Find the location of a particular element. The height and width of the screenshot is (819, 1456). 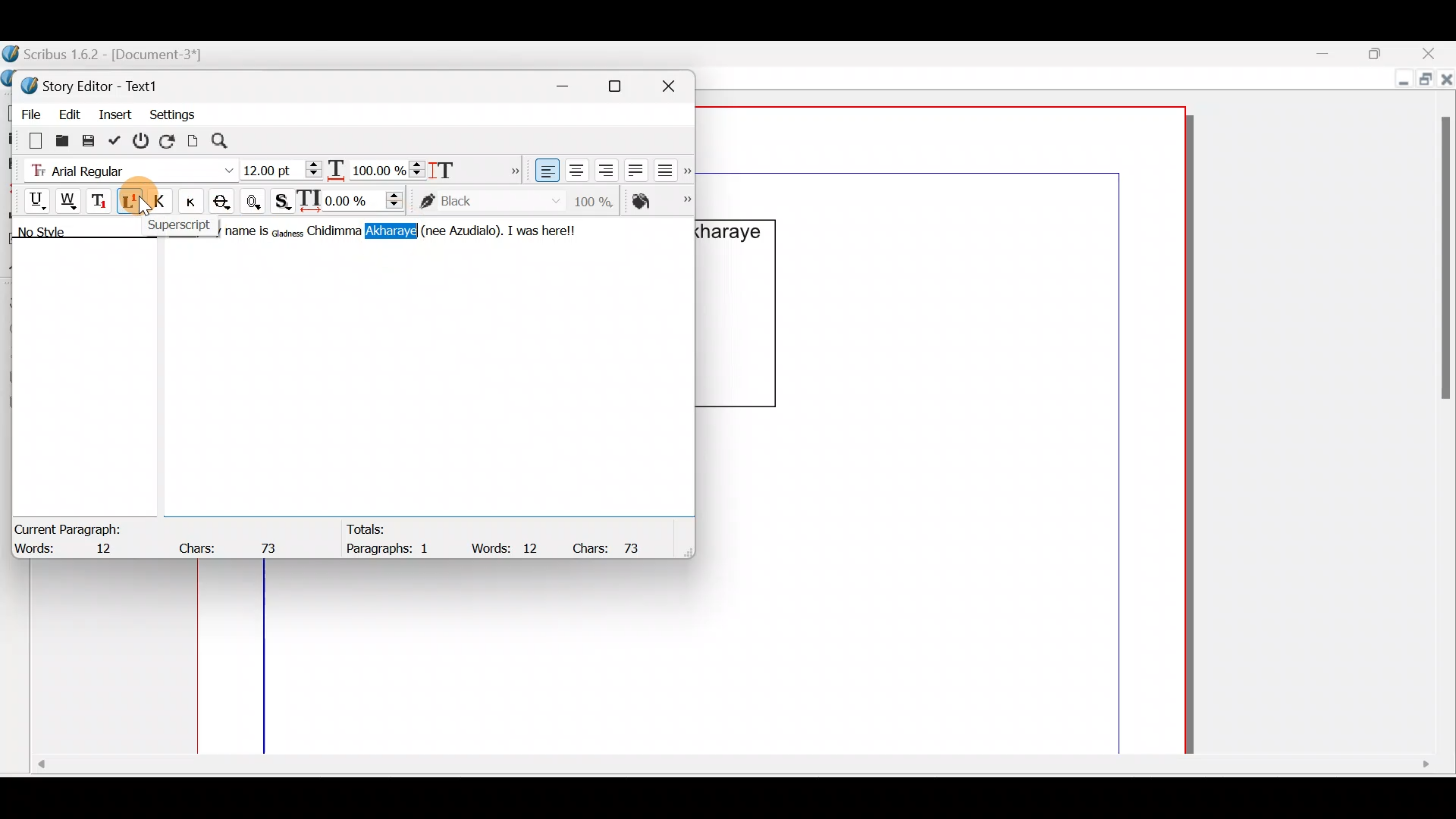

Azudialo). is located at coordinates (478, 230).